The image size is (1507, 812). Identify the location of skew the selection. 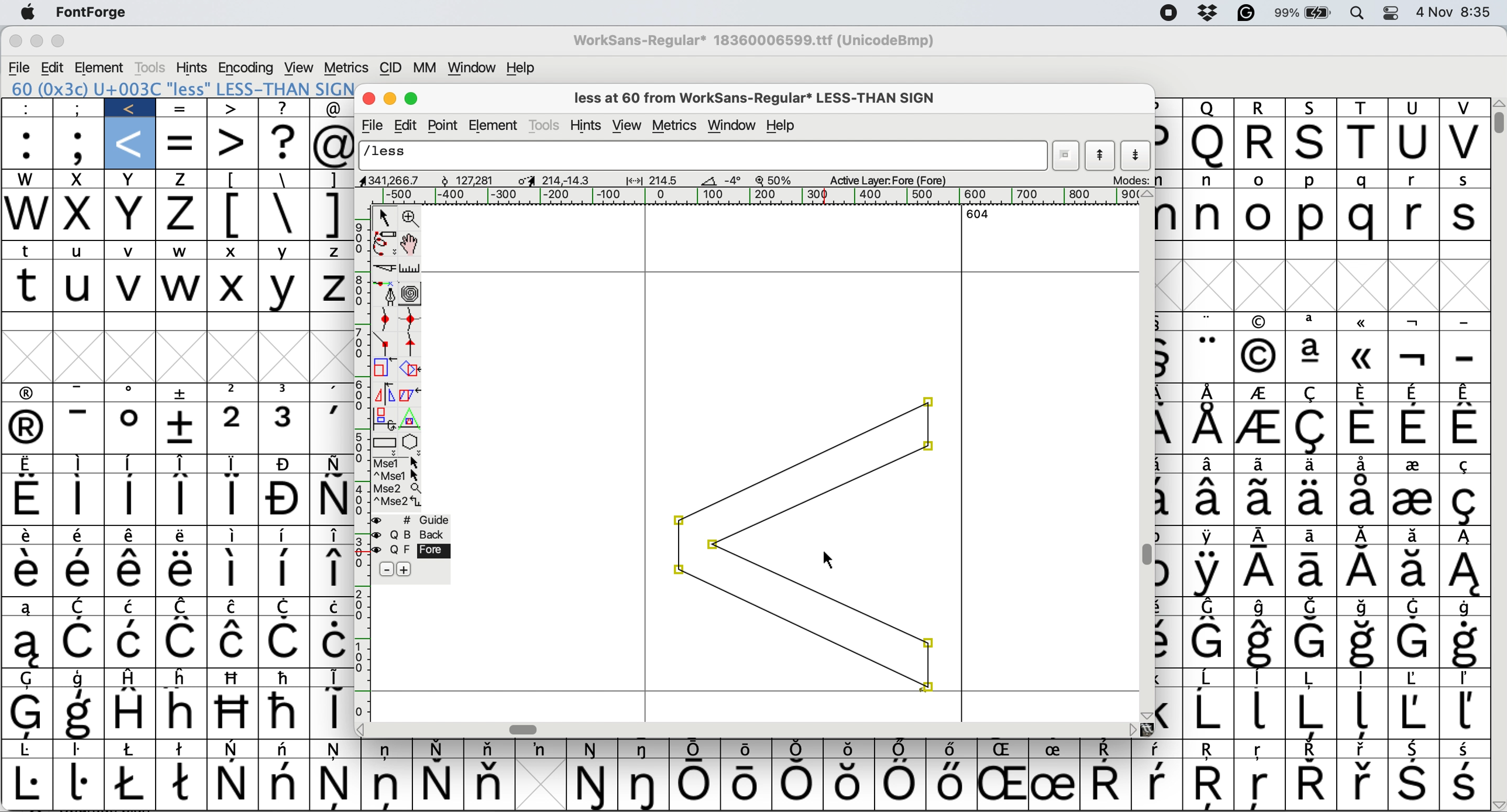
(409, 391).